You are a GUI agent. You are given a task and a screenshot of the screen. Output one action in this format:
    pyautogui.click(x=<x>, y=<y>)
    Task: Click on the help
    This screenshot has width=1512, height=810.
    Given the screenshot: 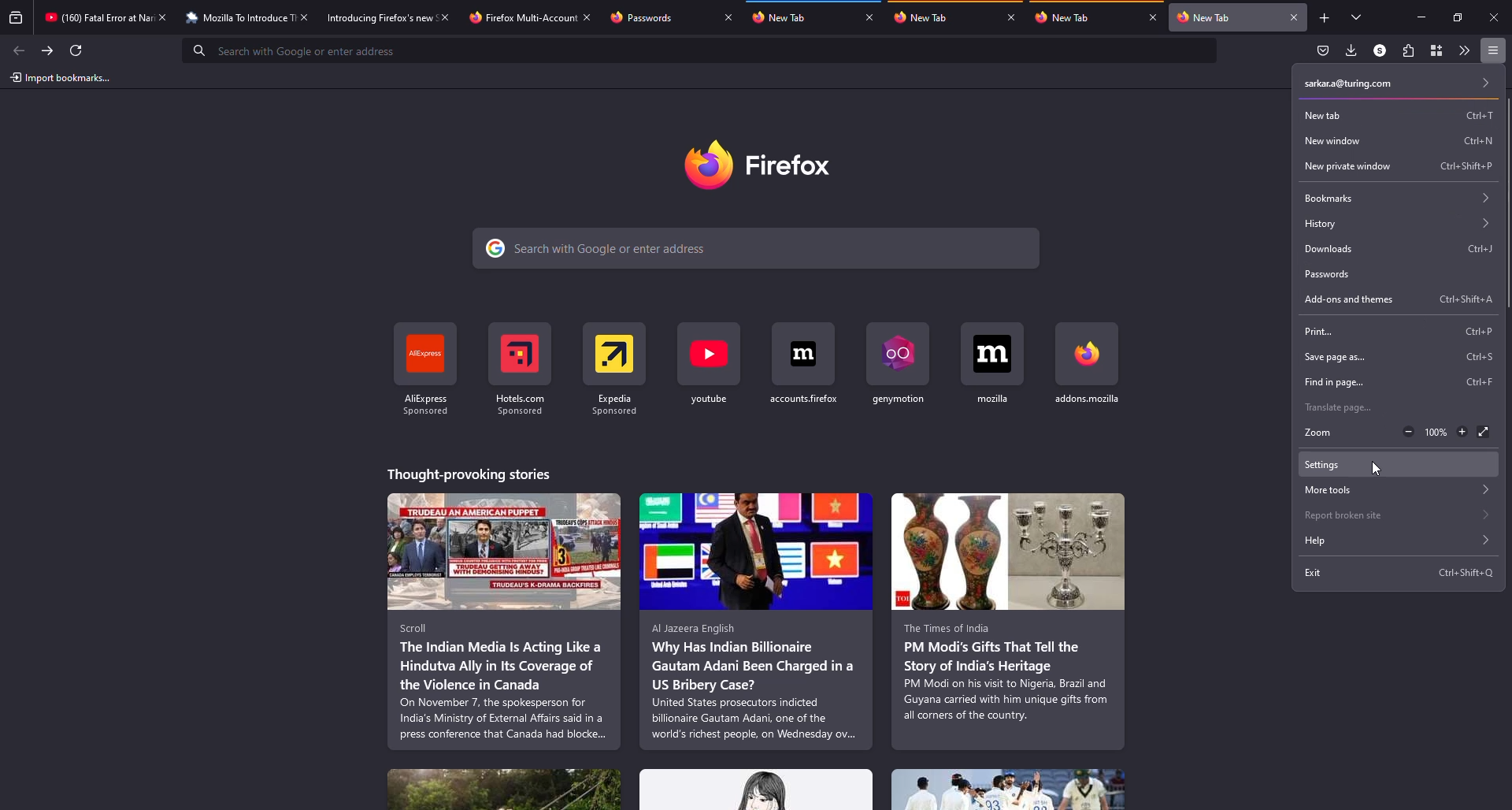 What is the action you would take?
    pyautogui.click(x=1392, y=541)
    